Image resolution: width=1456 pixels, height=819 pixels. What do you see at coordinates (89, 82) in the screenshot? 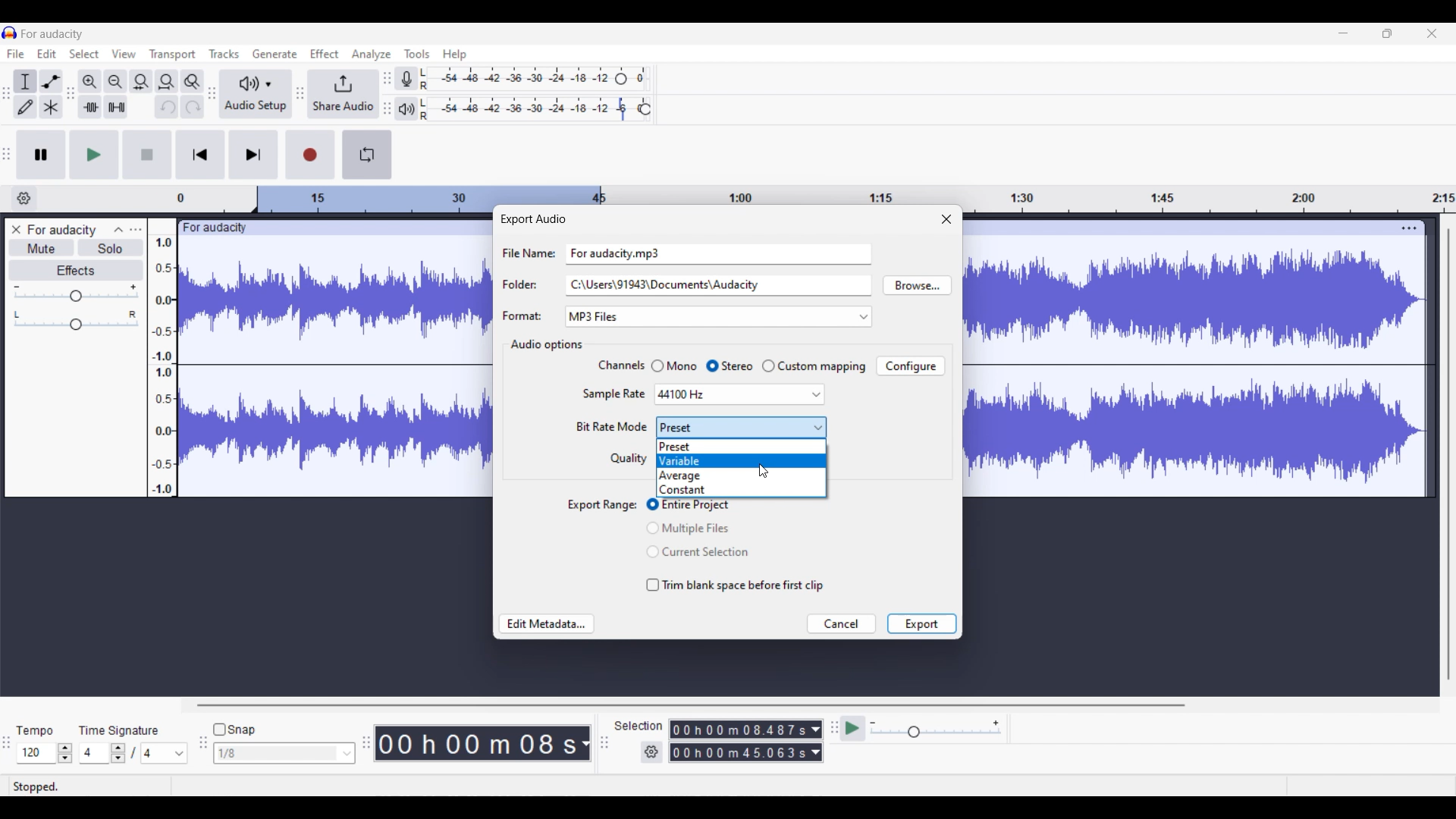
I see `Zoom in` at bounding box center [89, 82].